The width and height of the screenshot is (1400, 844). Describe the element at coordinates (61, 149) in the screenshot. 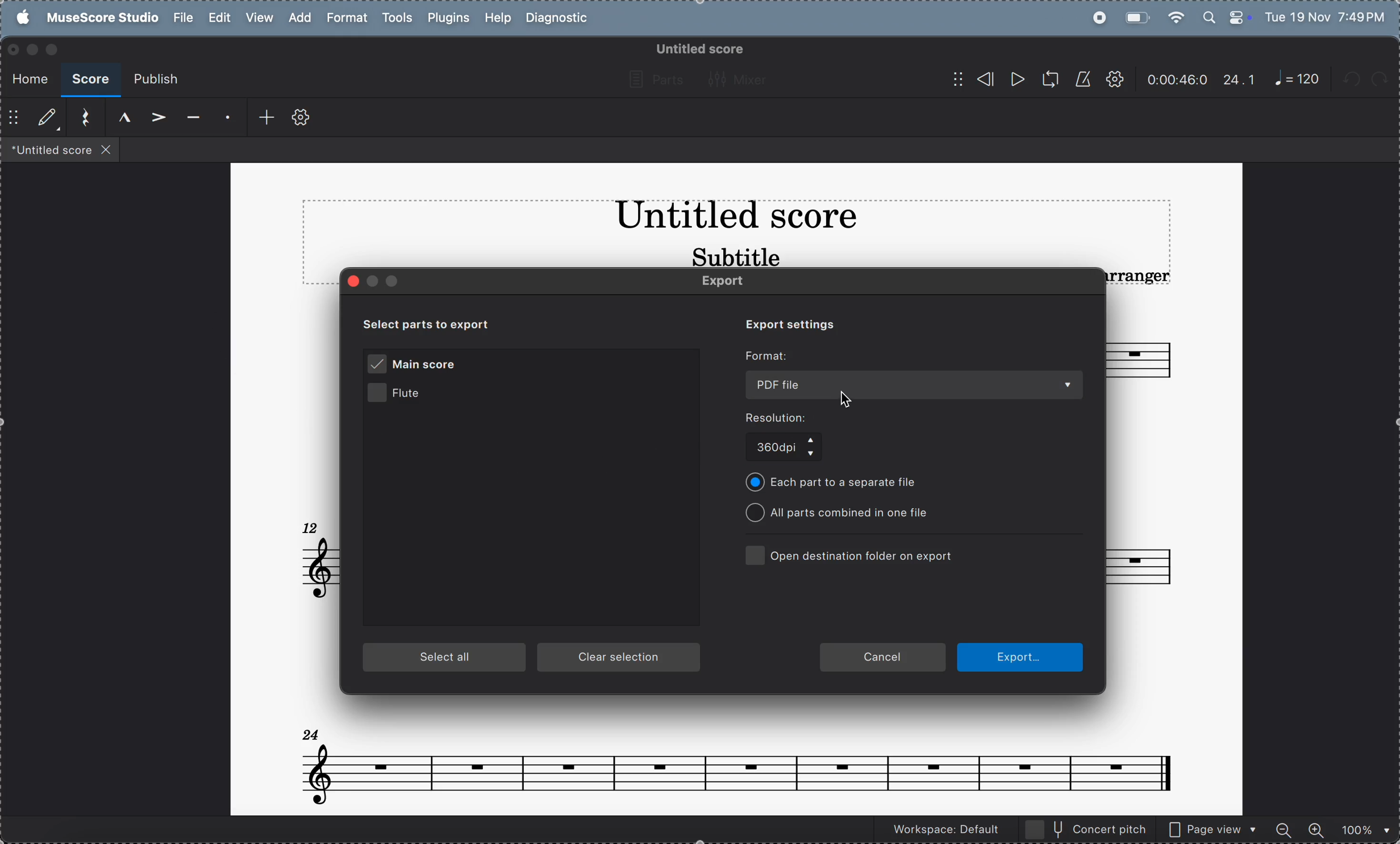

I see `files` at that location.